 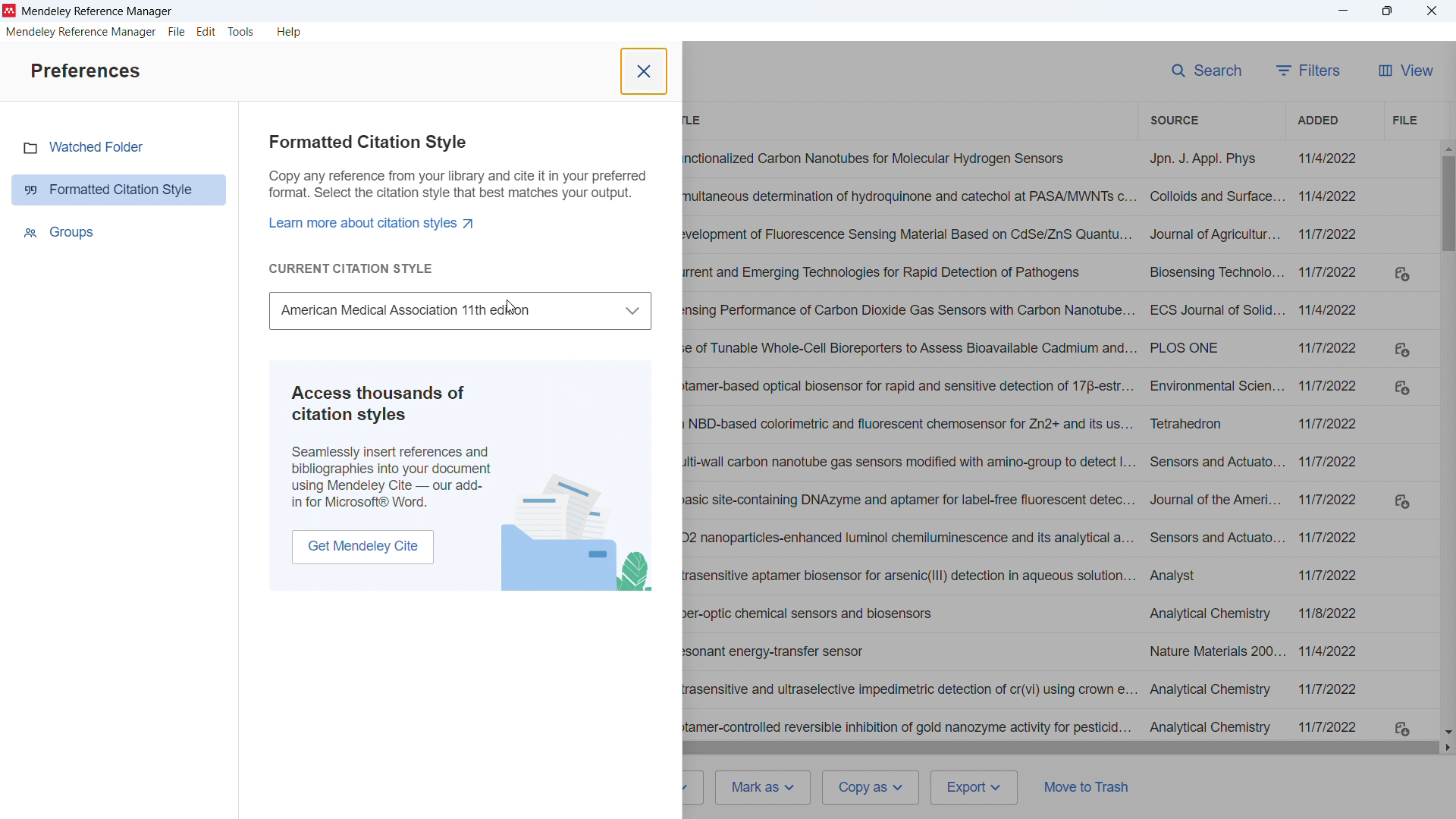 What do you see at coordinates (1204, 71) in the screenshot?
I see `search ` at bounding box center [1204, 71].